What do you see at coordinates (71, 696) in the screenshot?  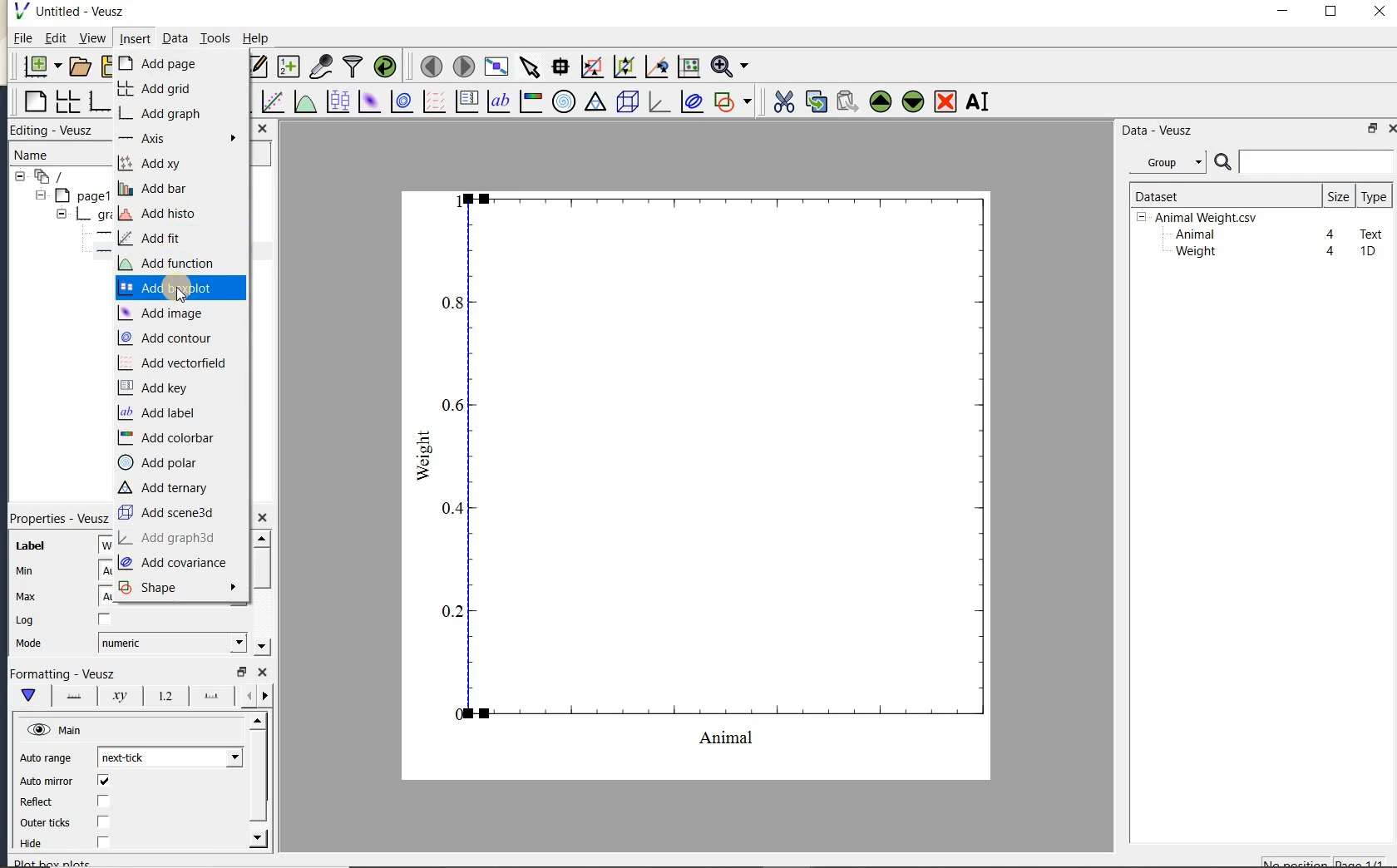 I see `axis line` at bounding box center [71, 696].